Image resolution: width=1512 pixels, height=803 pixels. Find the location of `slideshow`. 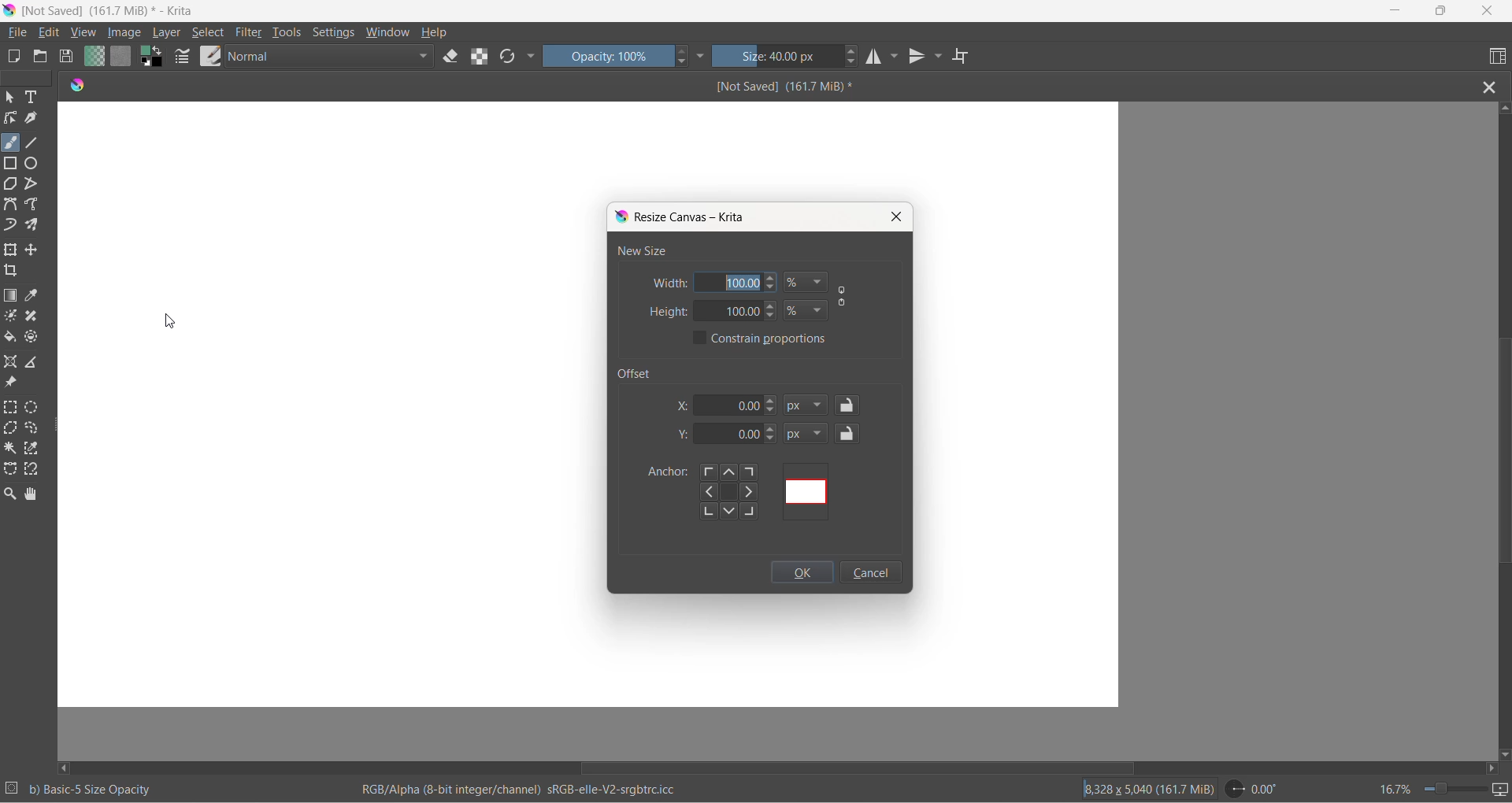

slideshow is located at coordinates (1502, 790).